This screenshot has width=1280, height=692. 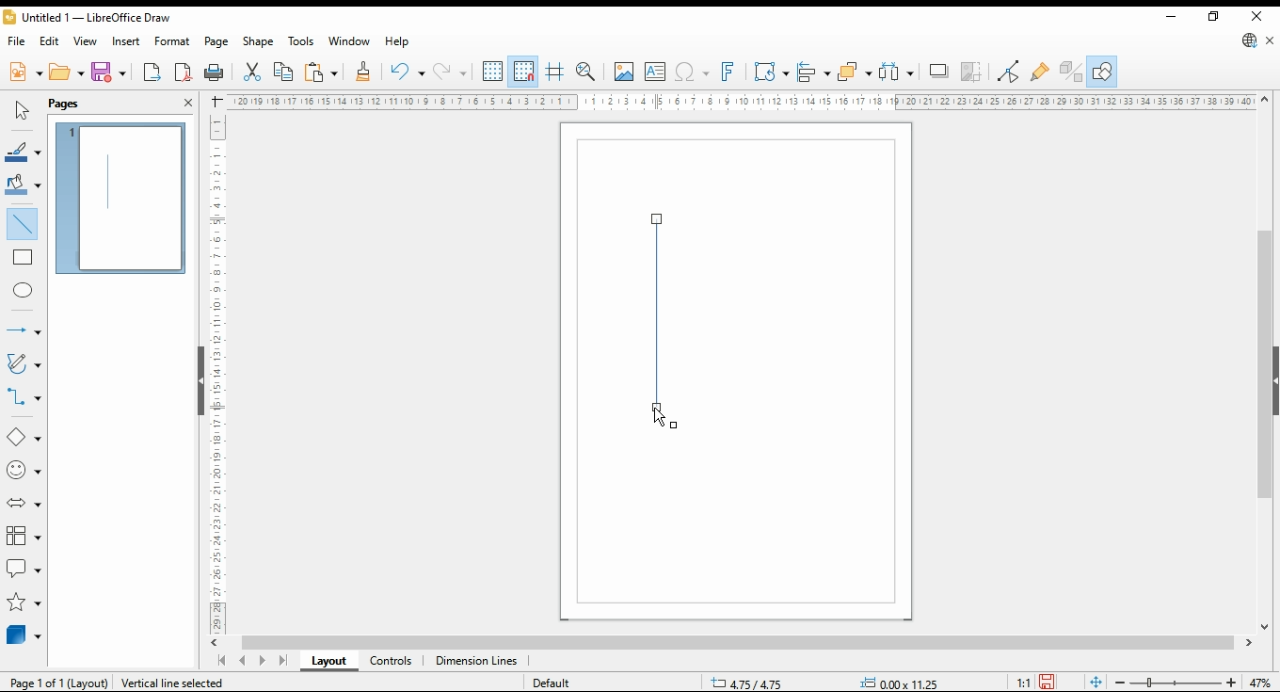 What do you see at coordinates (1262, 683) in the screenshot?
I see `zoom factor` at bounding box center [1262, 683].